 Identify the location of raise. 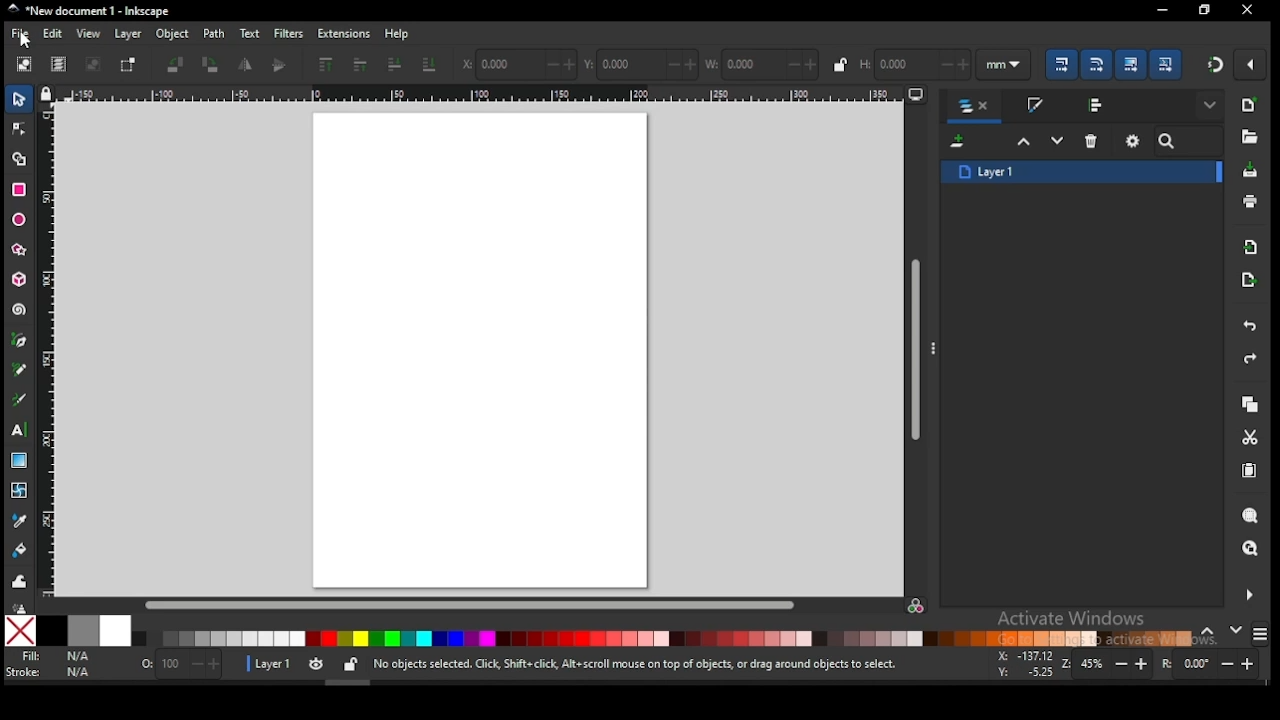
(357, 66).